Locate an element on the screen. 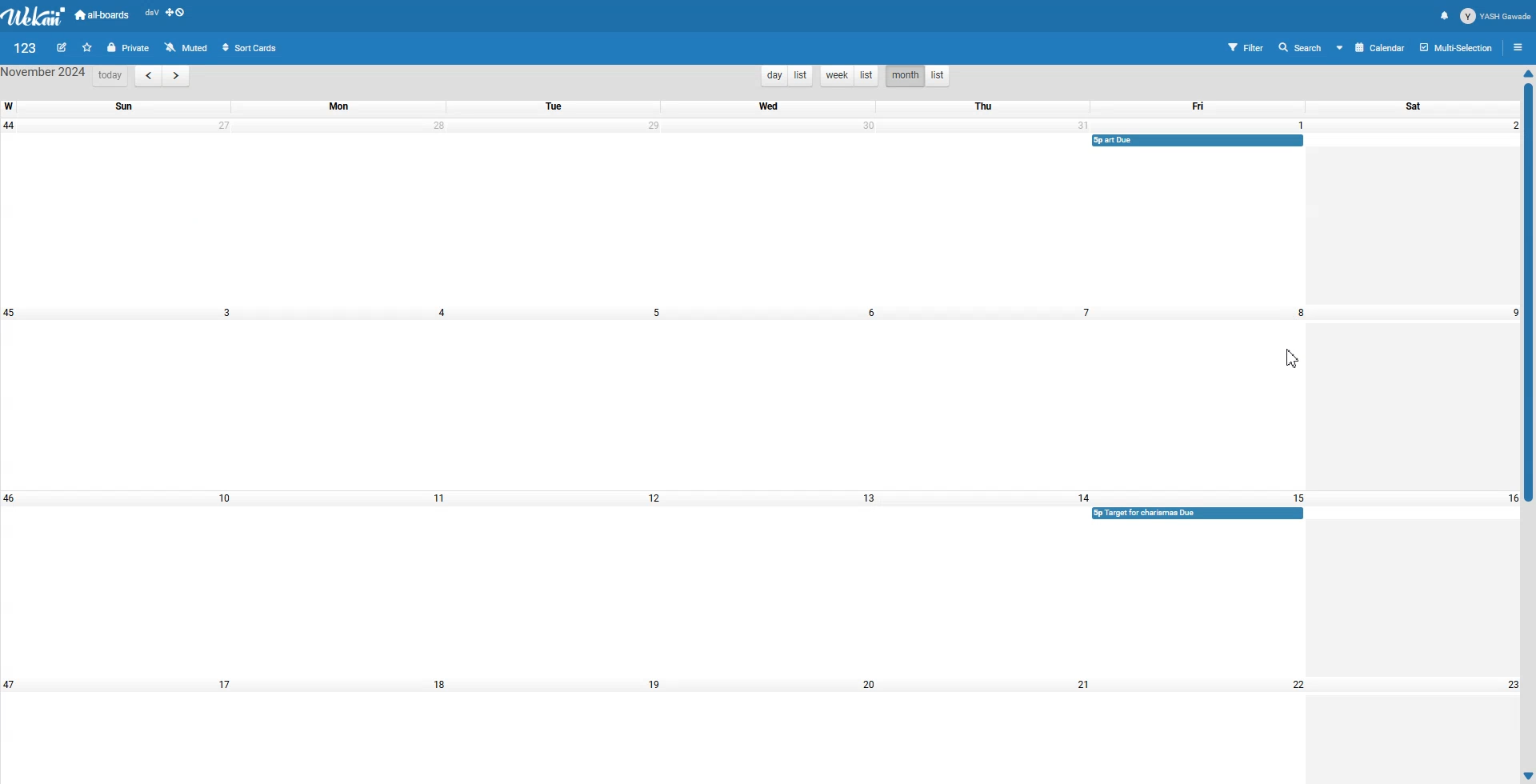  Logo is located at coordinates (35, 16).